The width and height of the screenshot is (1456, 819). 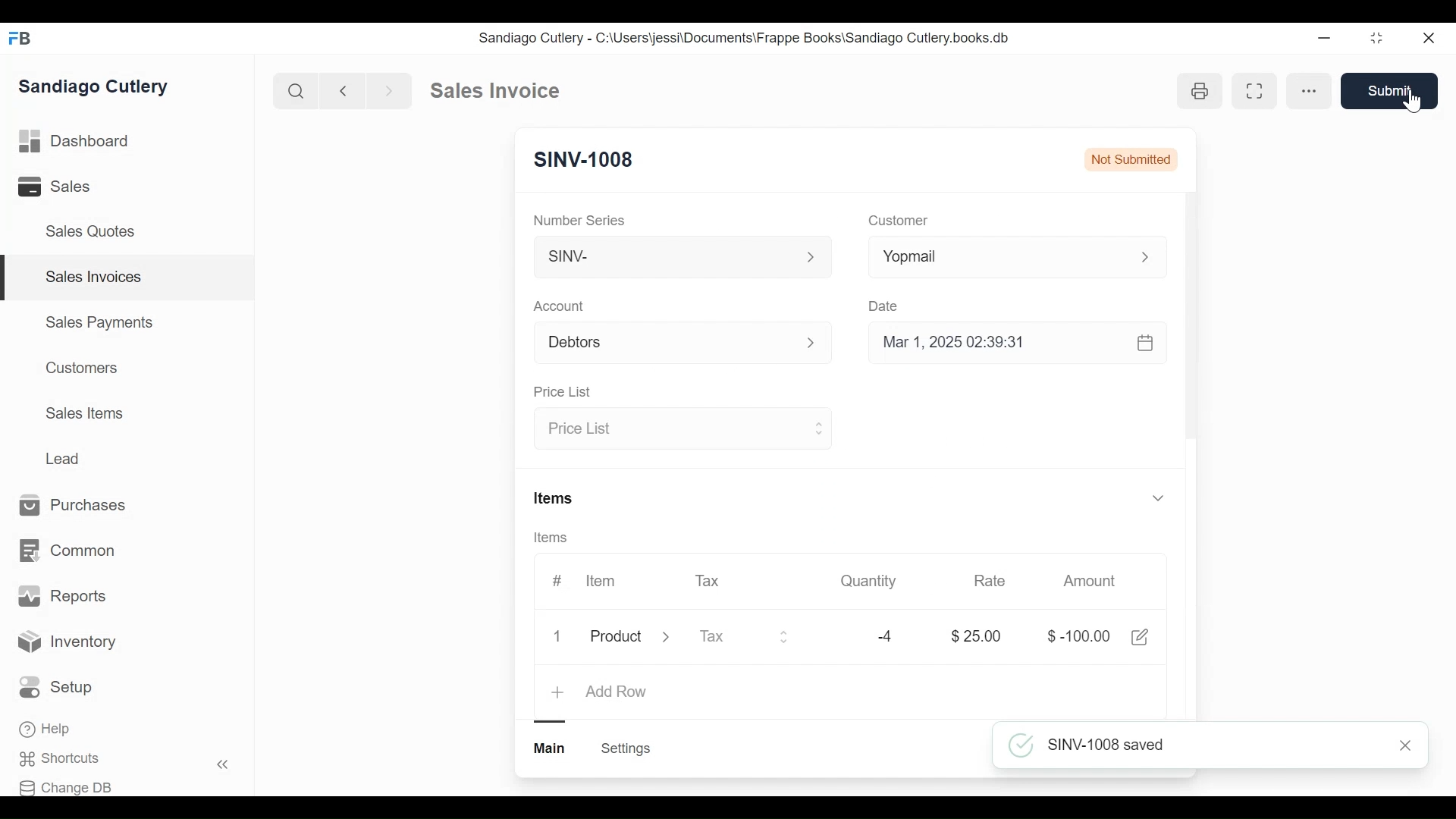 I want to click on Account, so click(x=559, y=306).